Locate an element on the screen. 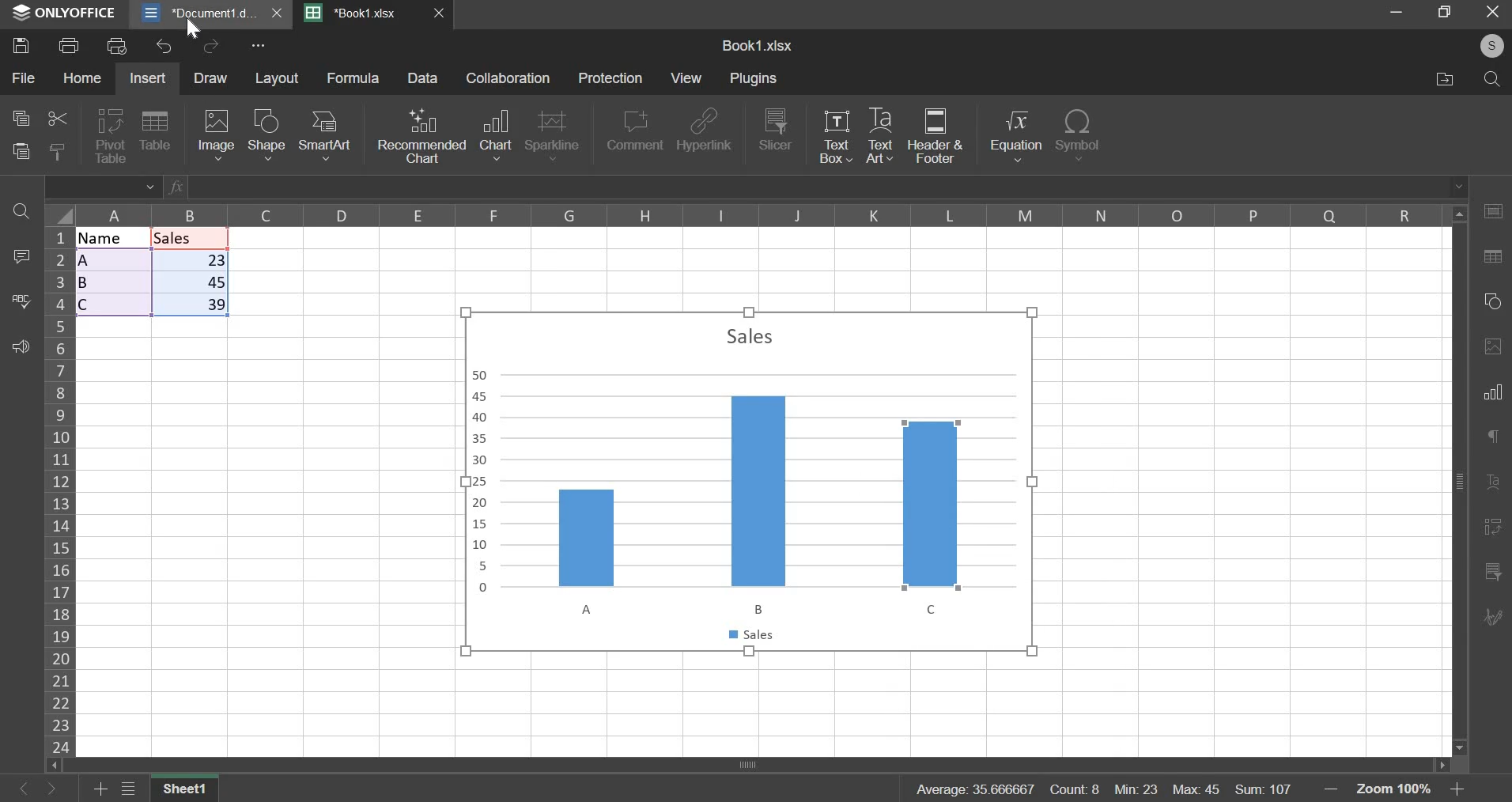 Image resolution: width=1512 pixels, height=802 pixels. copy style is located at coordinates (58, 150).